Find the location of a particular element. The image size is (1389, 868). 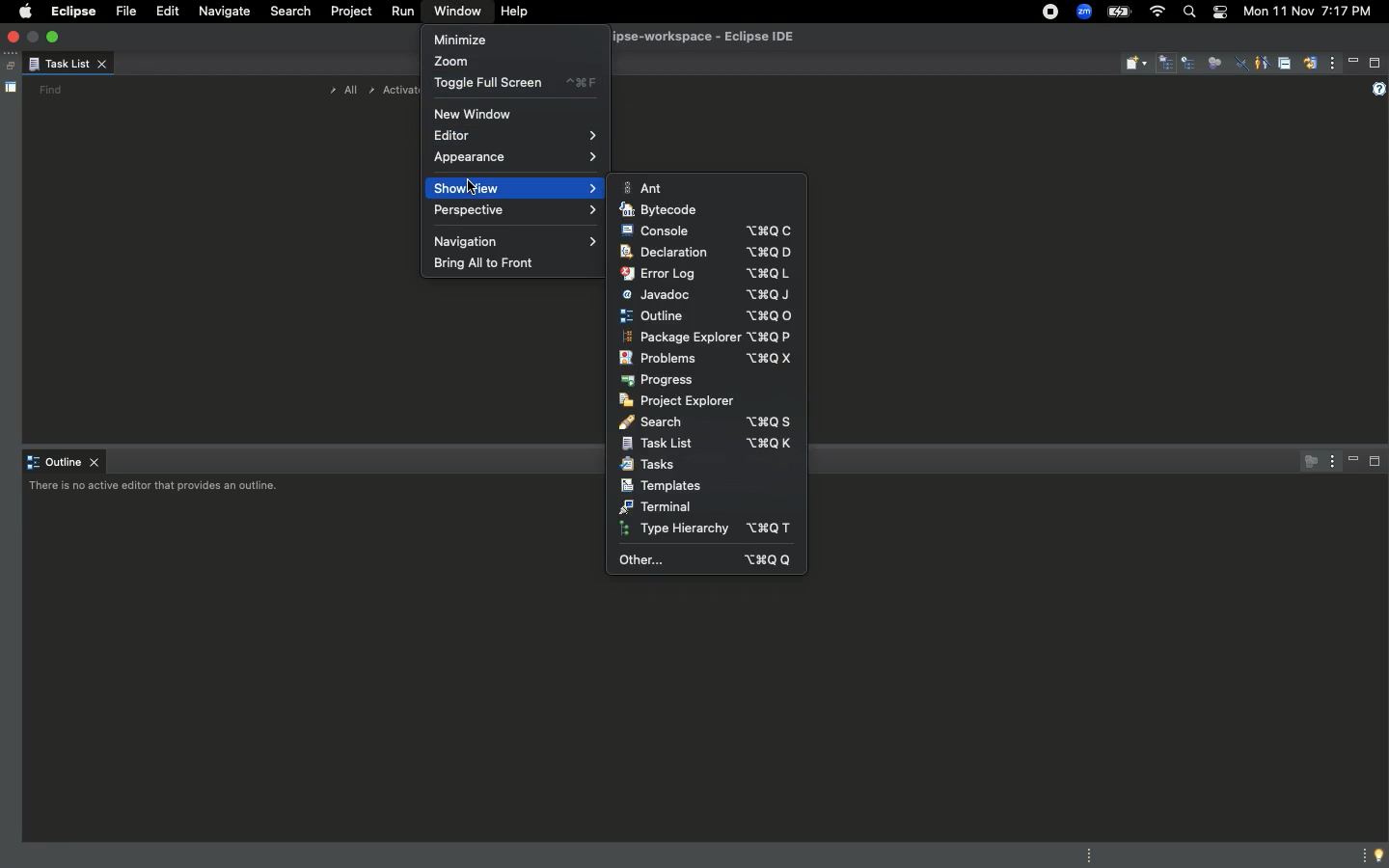

Navigation is located at coordinates (518, 240).